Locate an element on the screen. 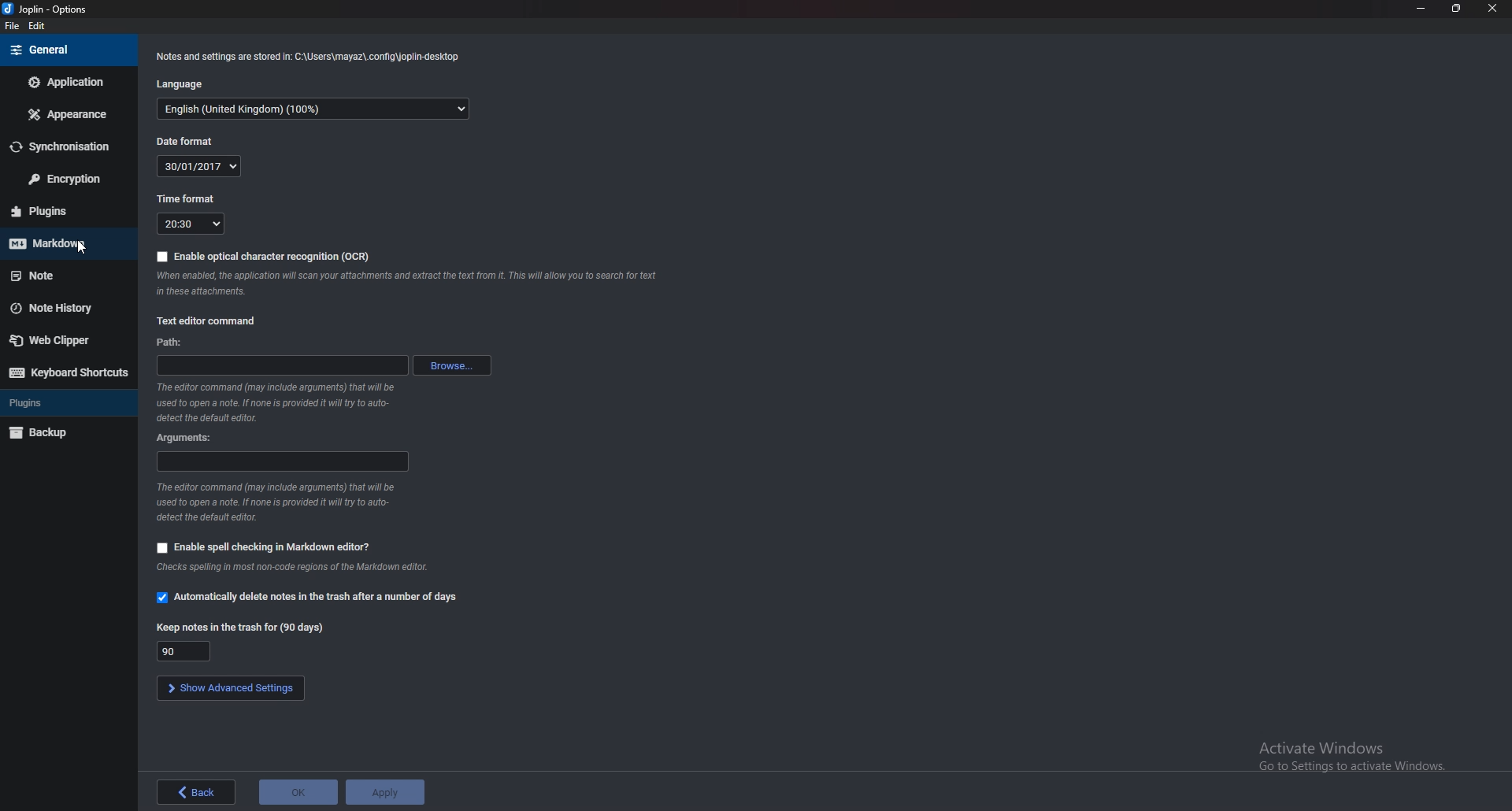 The width and height of the screenshot is (1512, 811). back is located at coordinates (194, 793).